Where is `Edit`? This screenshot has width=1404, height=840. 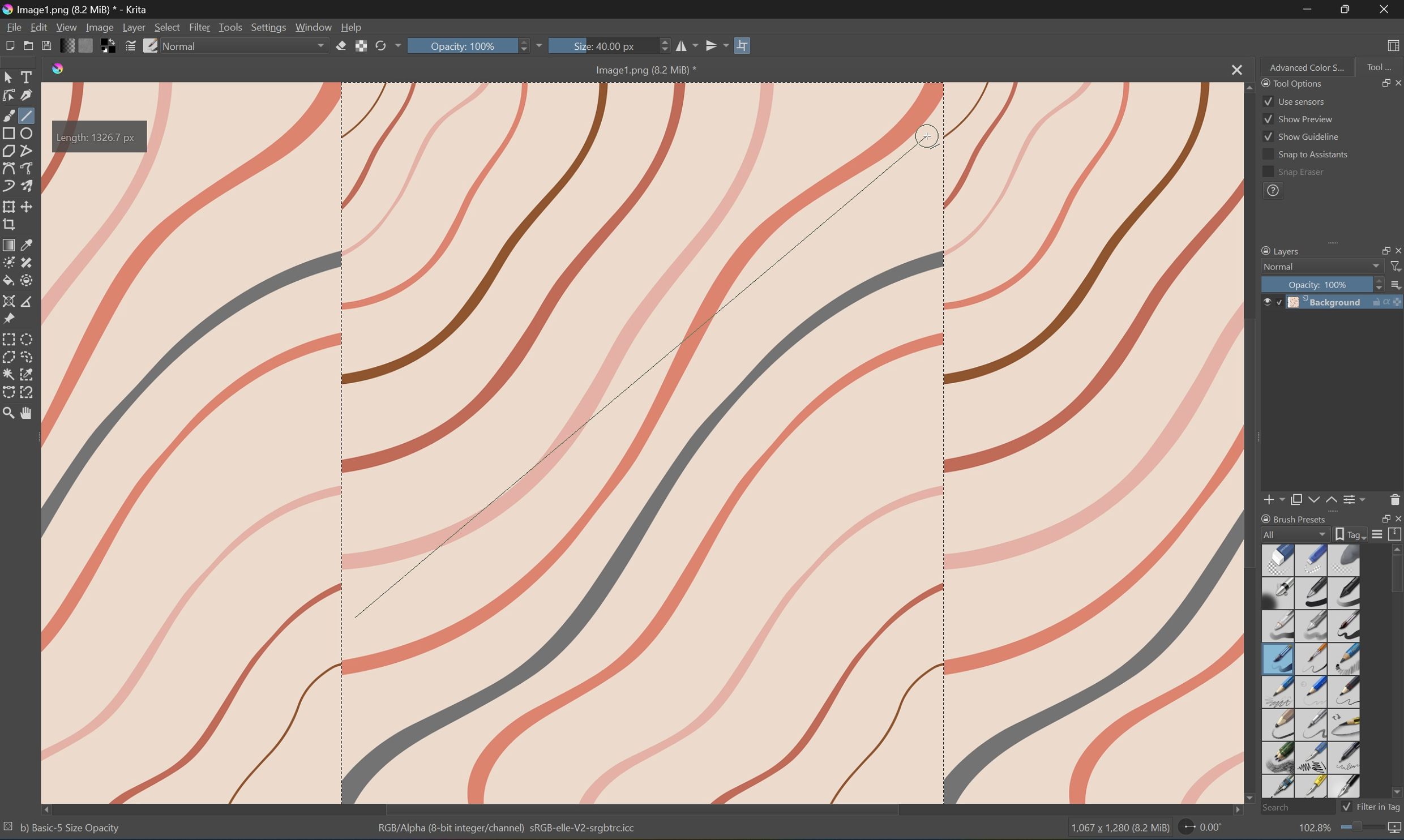 Edit is located at coordinates (38, 26).